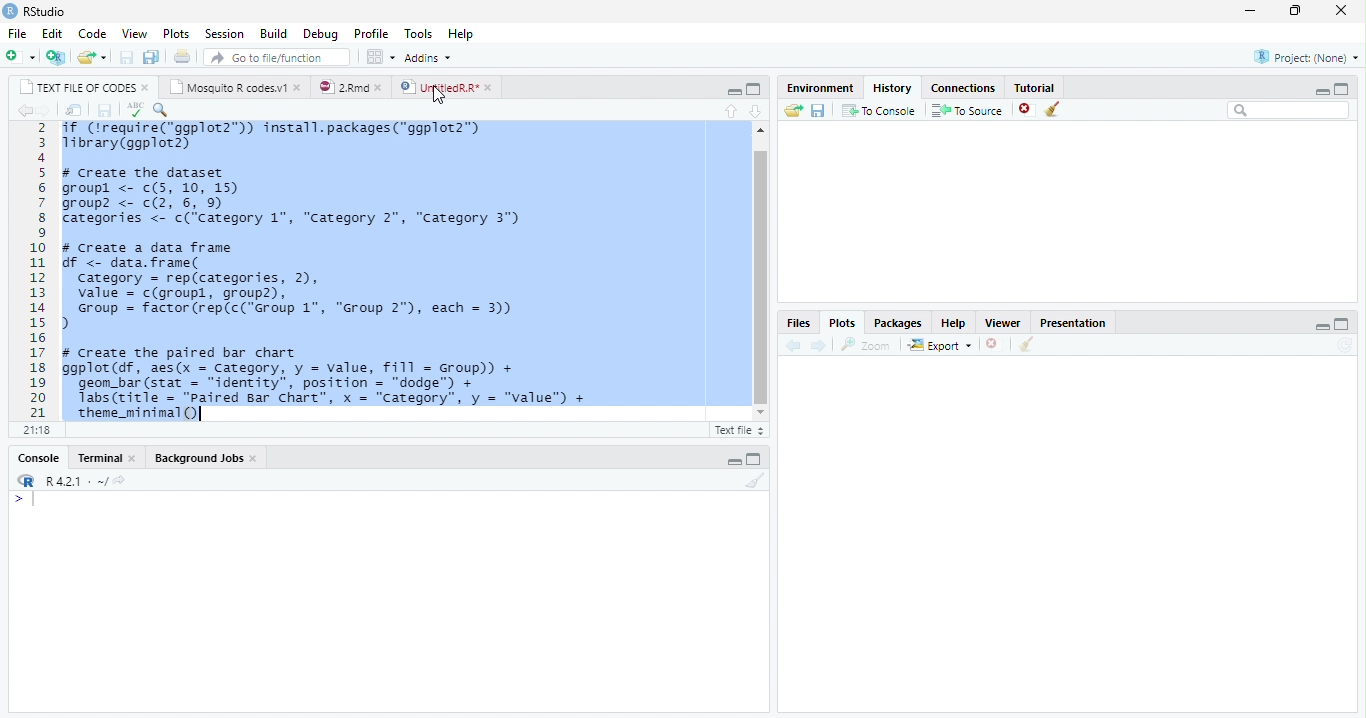 The height and width of the screenshot is (718, 1366). What do you see at coordinates (992, 343) in the screenshot?
I see `close` at bounding box center [992, 343].